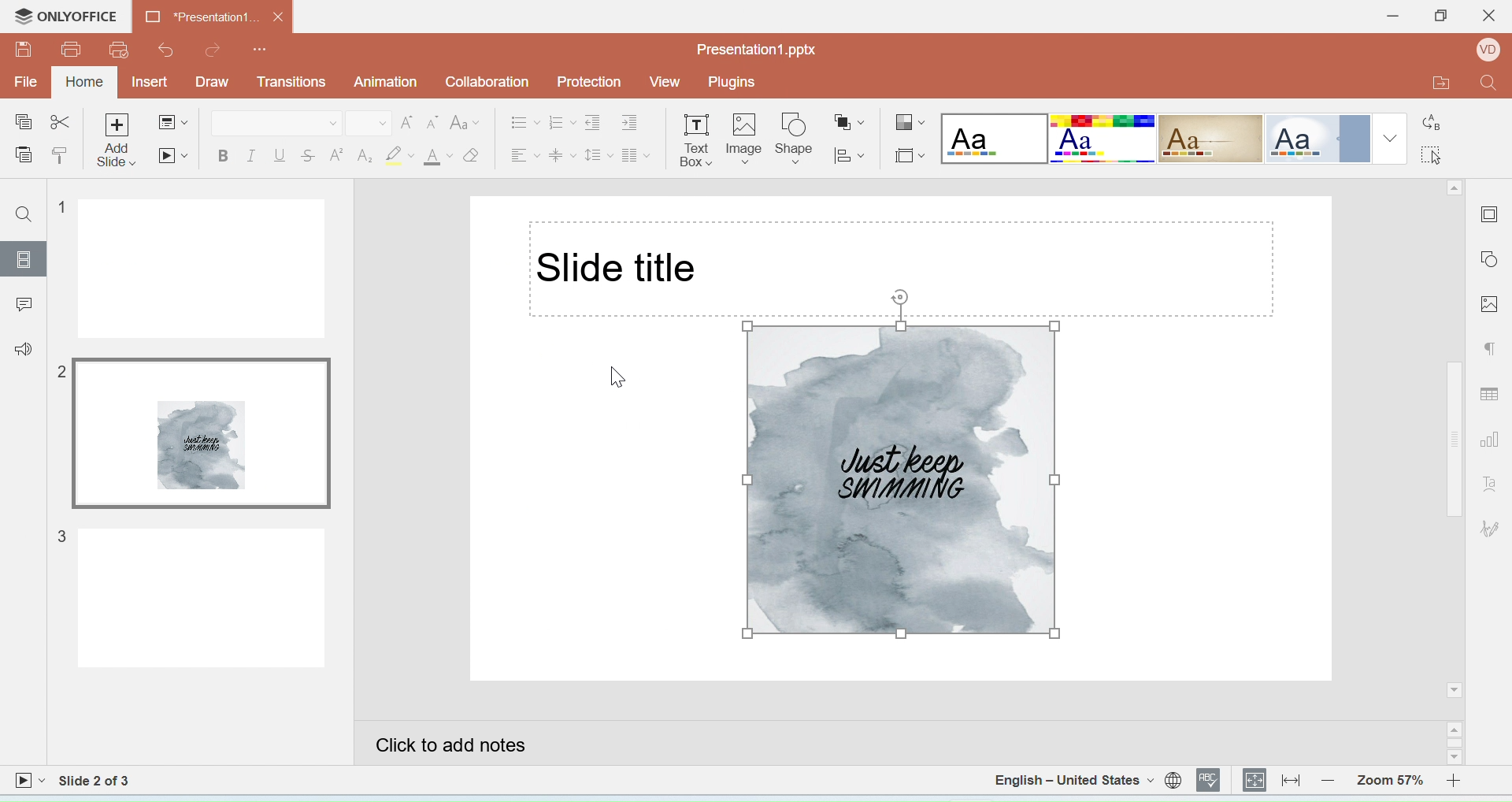 The height and width of the screenshot is (802, 1512). What do you see at coordinates (1211, 139) in the screenshot?
I see `Lines` at bounding box center [1211, 139].